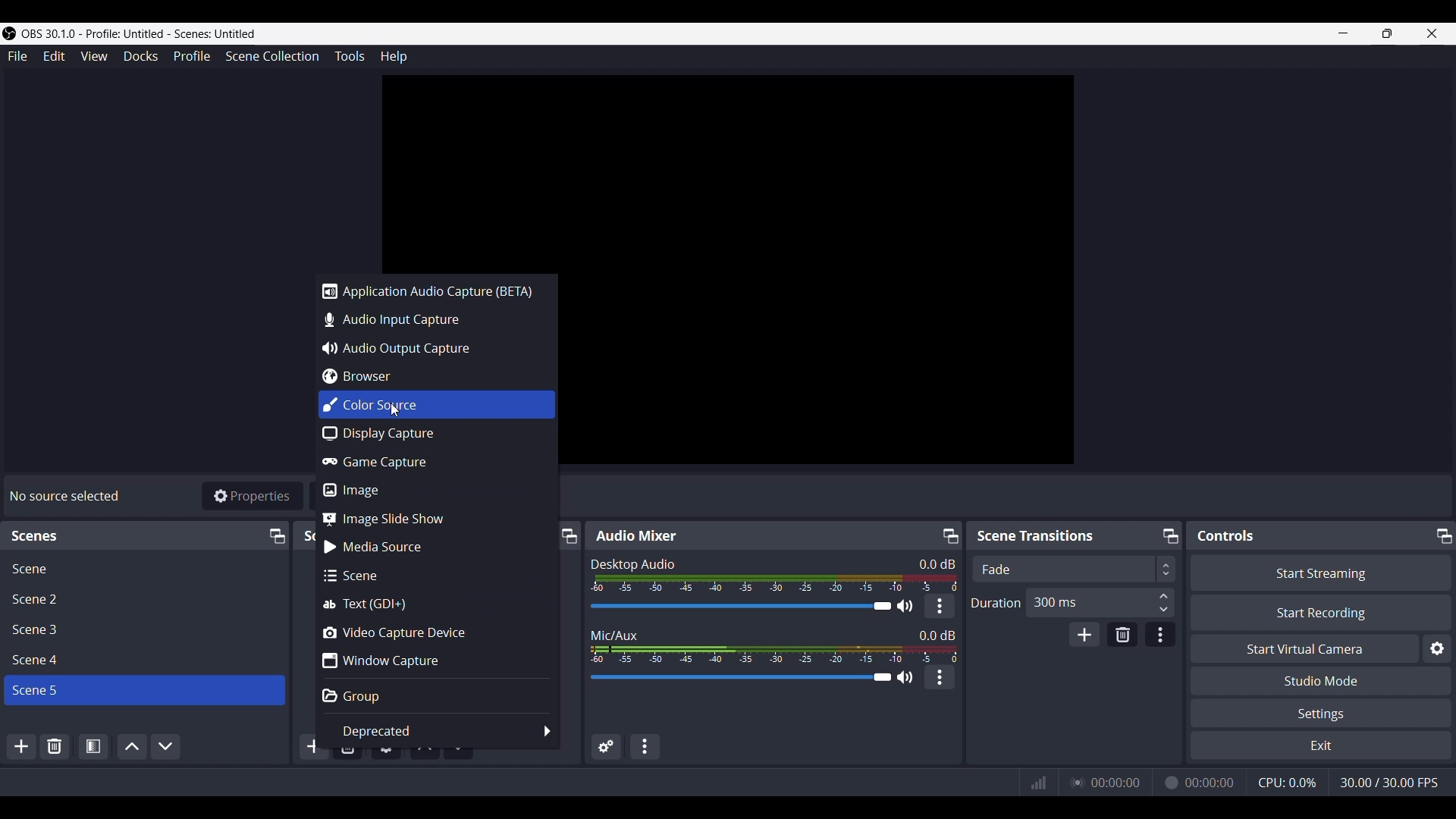  I want to click on Color source highlighted, so click(435, 406).